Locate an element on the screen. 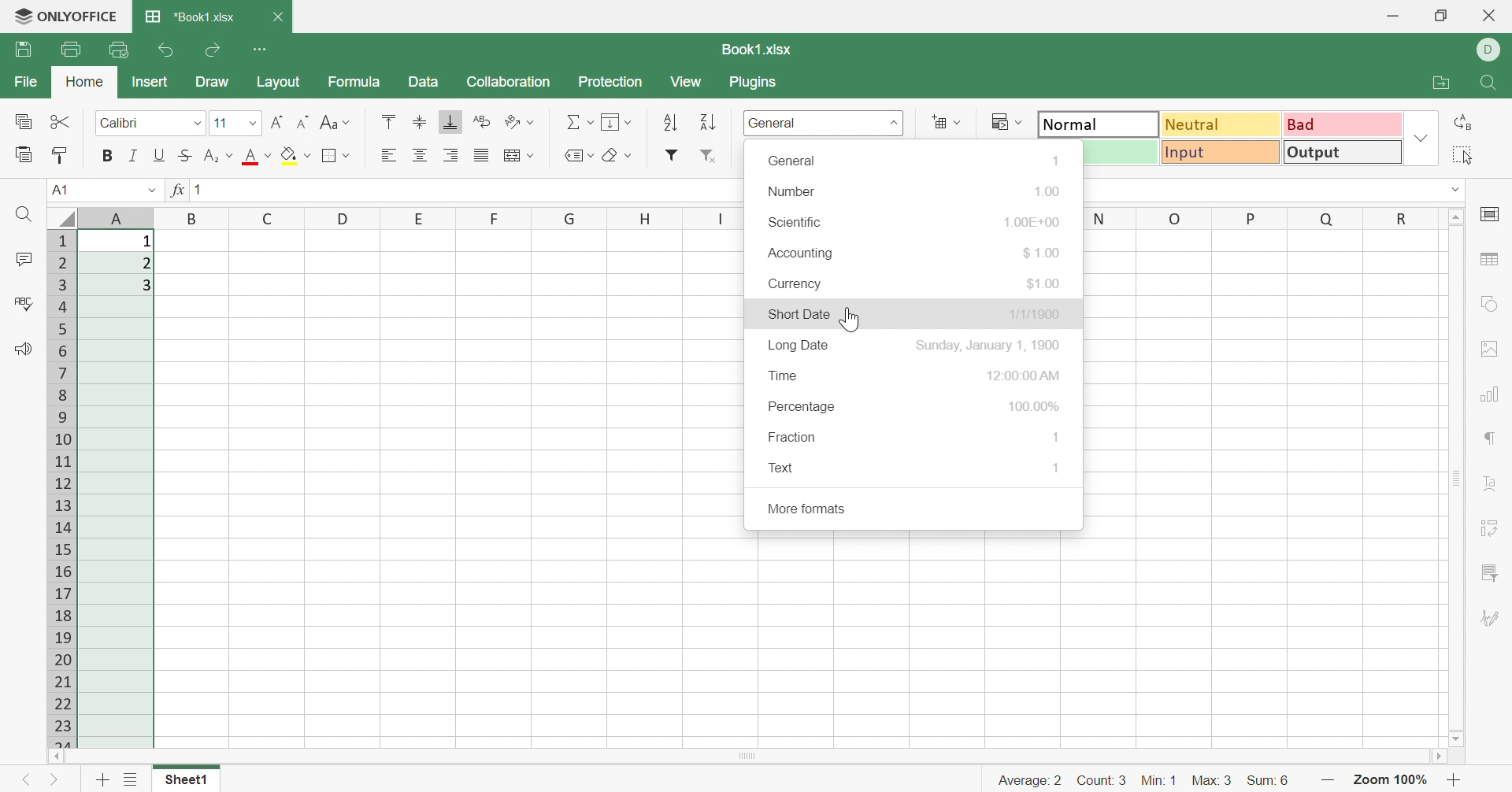  Quick print is located at coordinates (121, 50).